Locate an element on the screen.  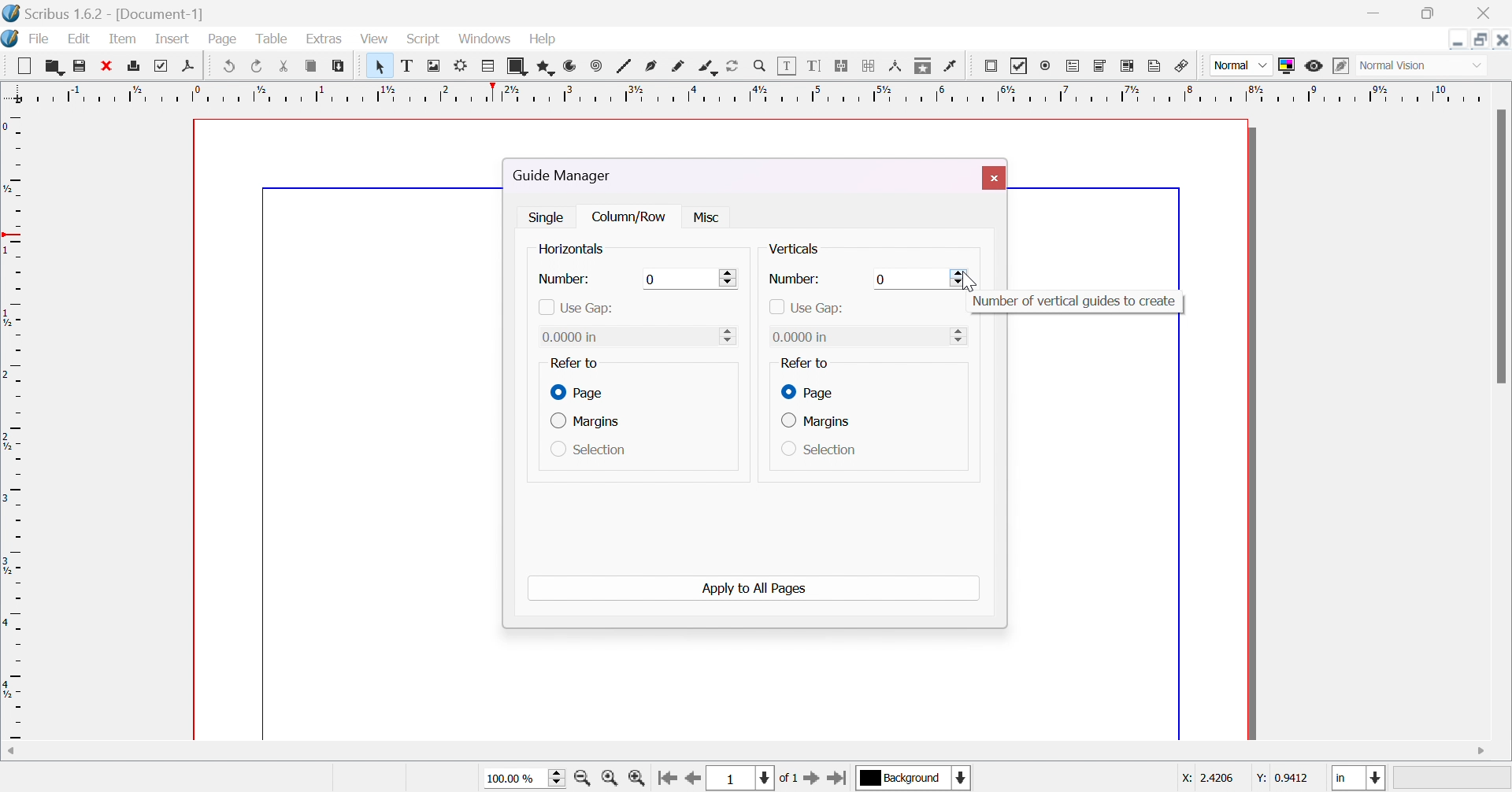
coordinates is located at coordinates (1236, 780).